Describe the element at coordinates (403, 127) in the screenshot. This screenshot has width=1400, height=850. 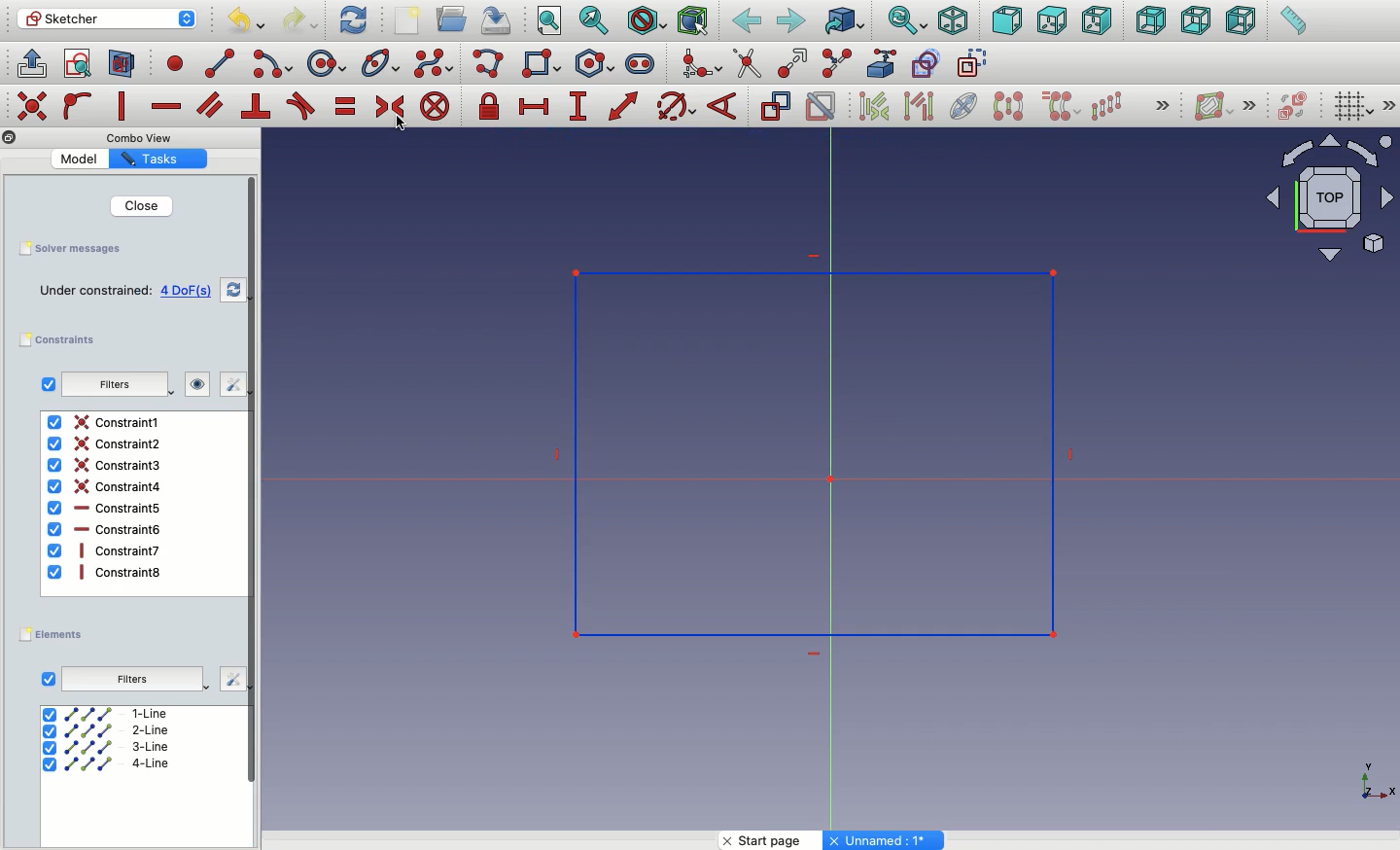
I see `Cursor` at that location.